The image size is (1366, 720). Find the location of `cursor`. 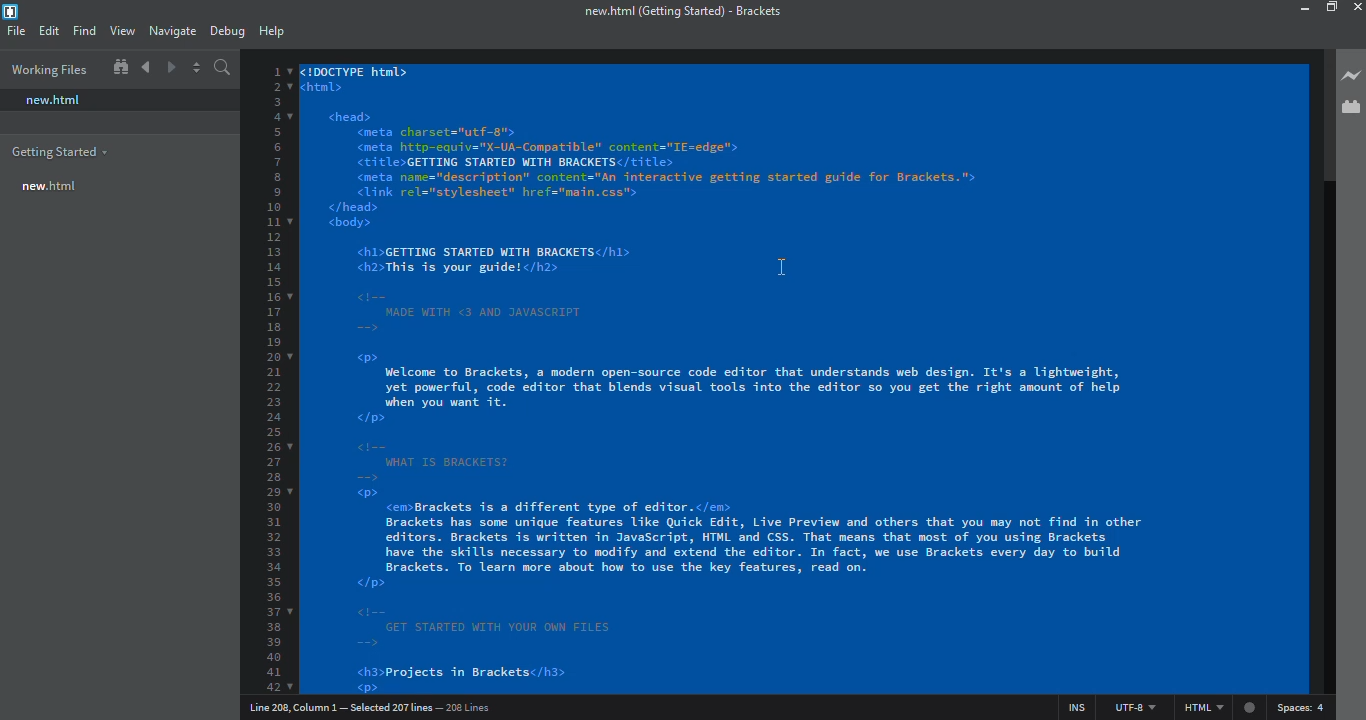

cursor is located at coordinates (783, 269).